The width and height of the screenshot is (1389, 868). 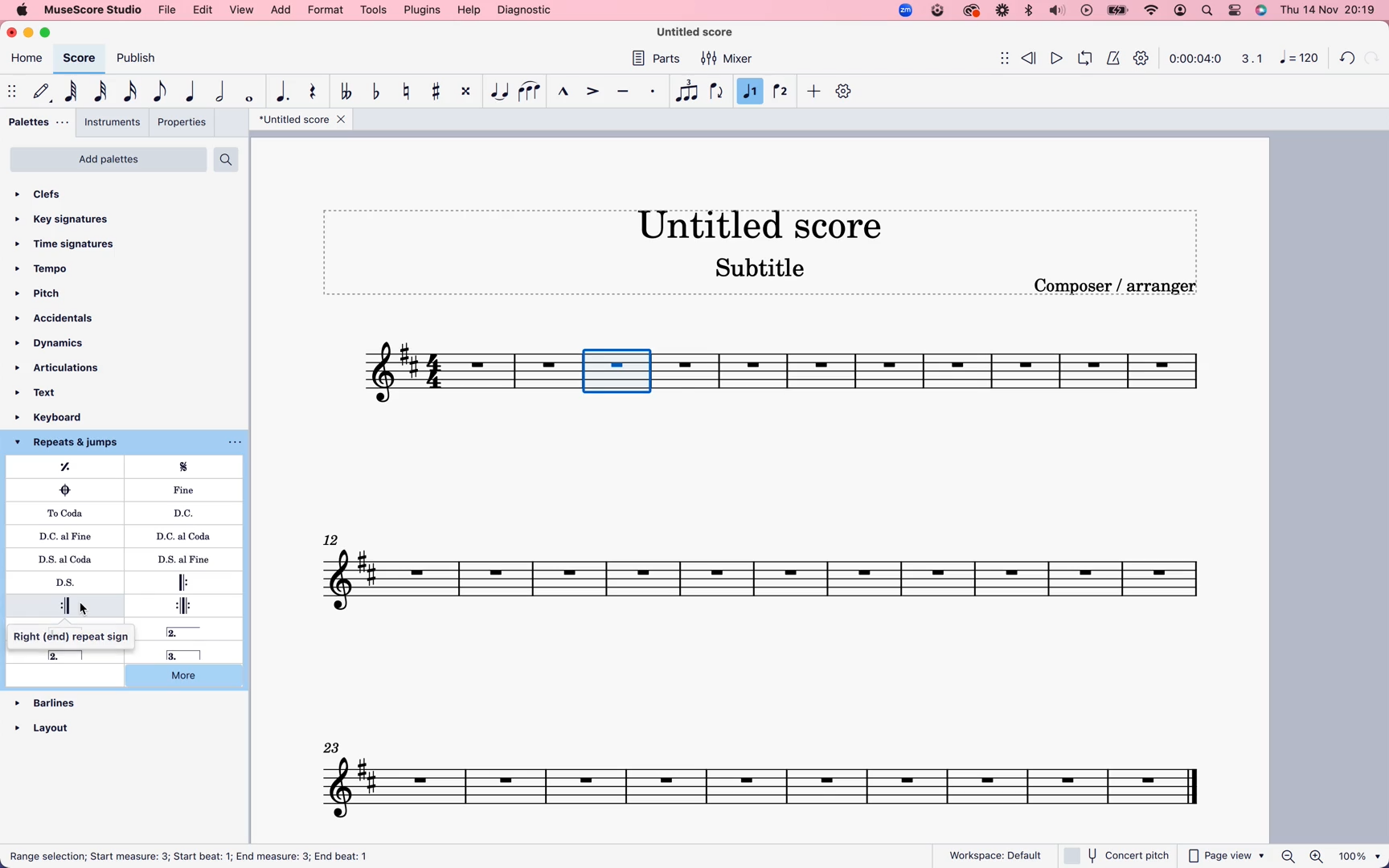 I want to click on coda, so click(x=65, y=489).